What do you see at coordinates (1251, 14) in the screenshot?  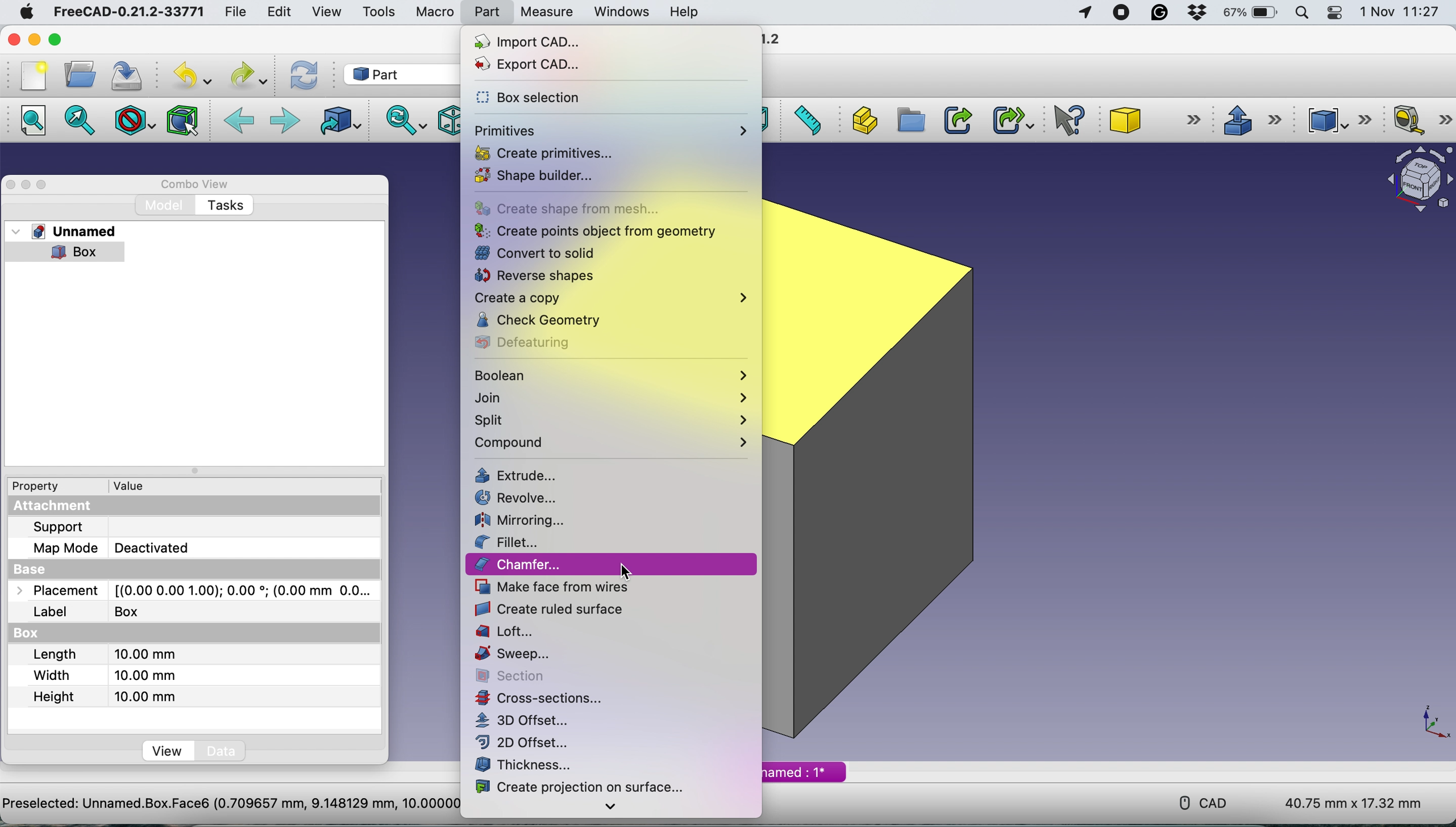 I see `battery` at bounding box center [1251, 14].